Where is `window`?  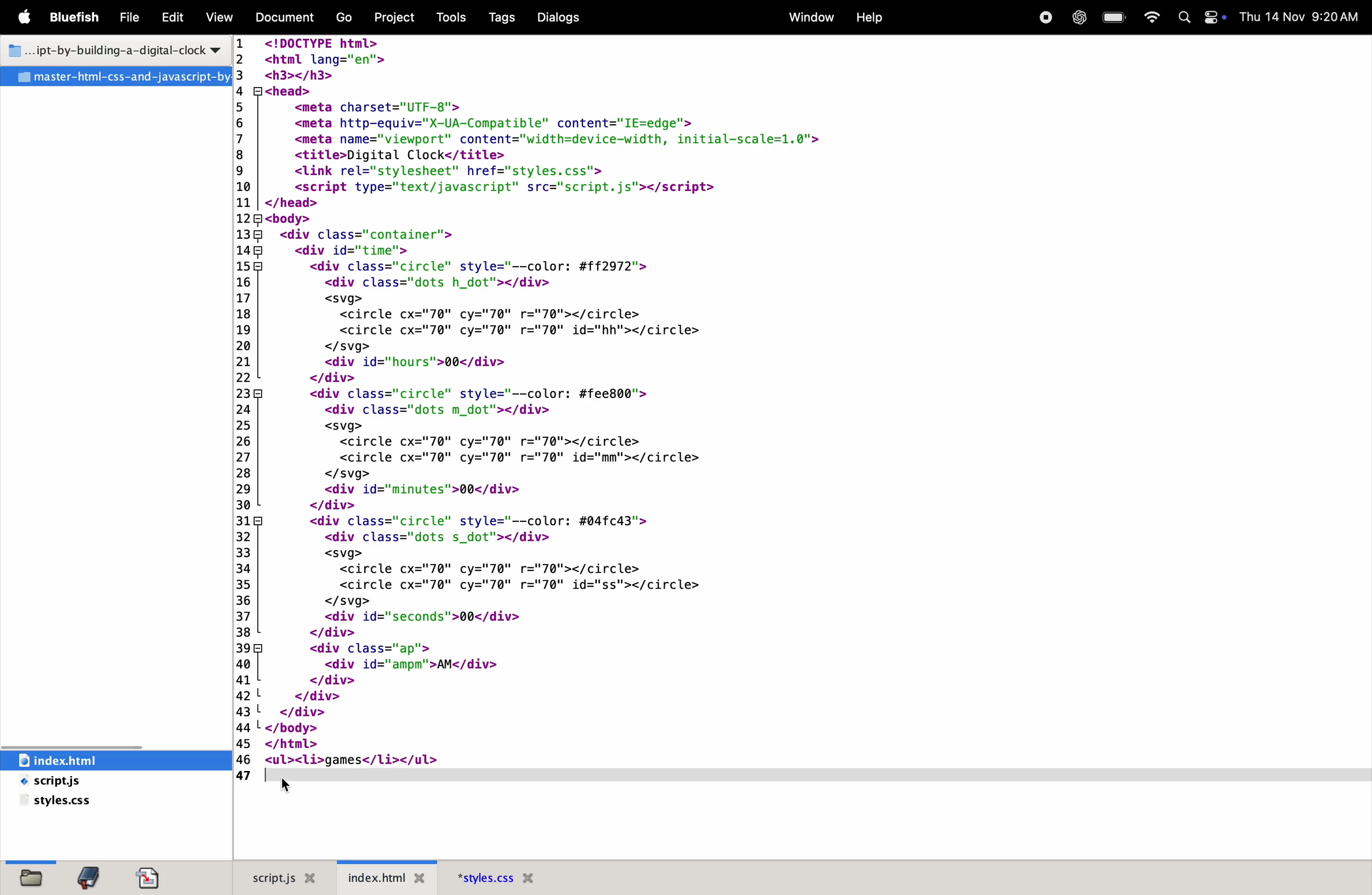
window is located at coordinates (809, 16).